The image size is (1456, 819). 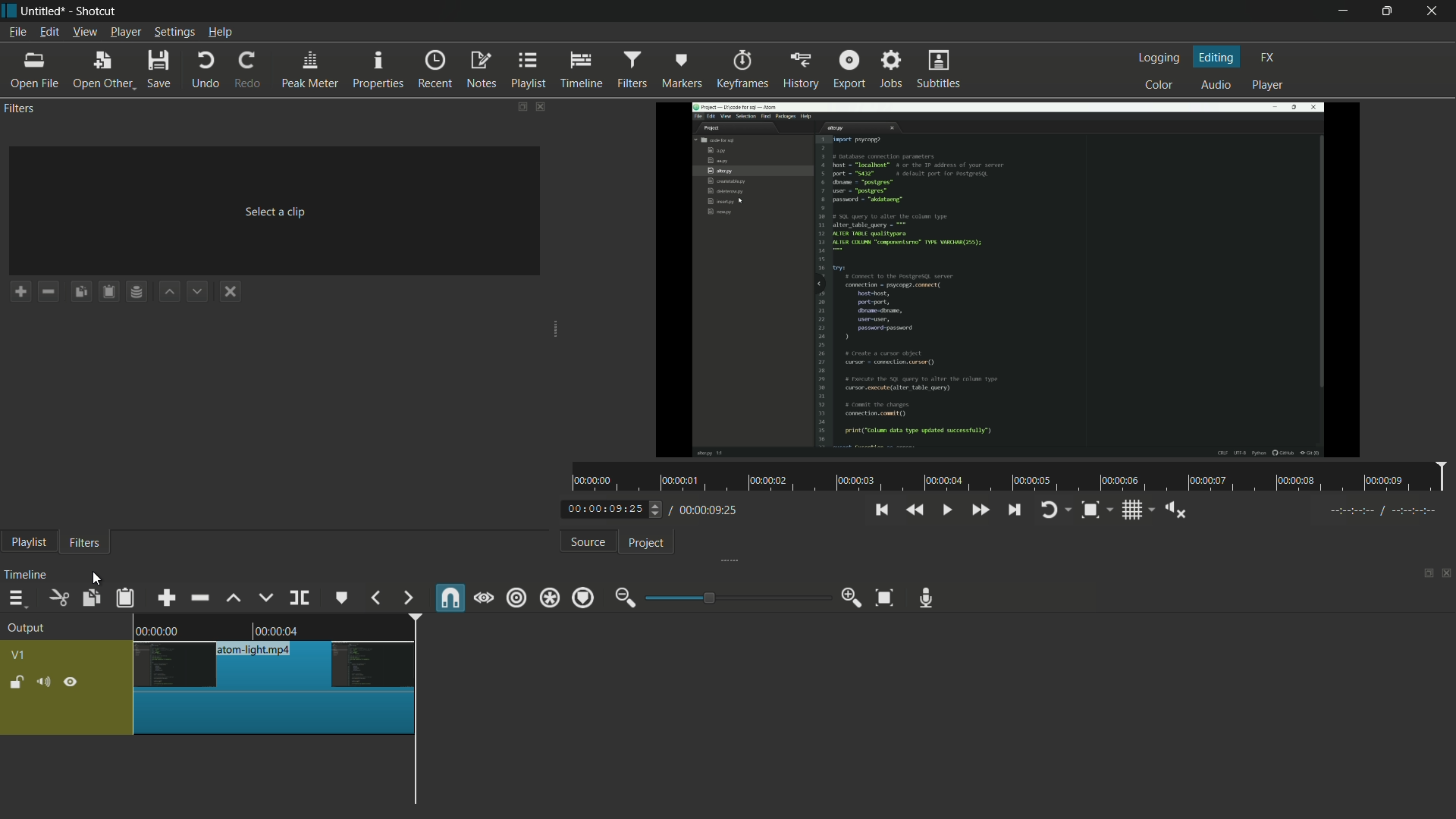 I want to click on previous marker, so click(x=377, y=598).